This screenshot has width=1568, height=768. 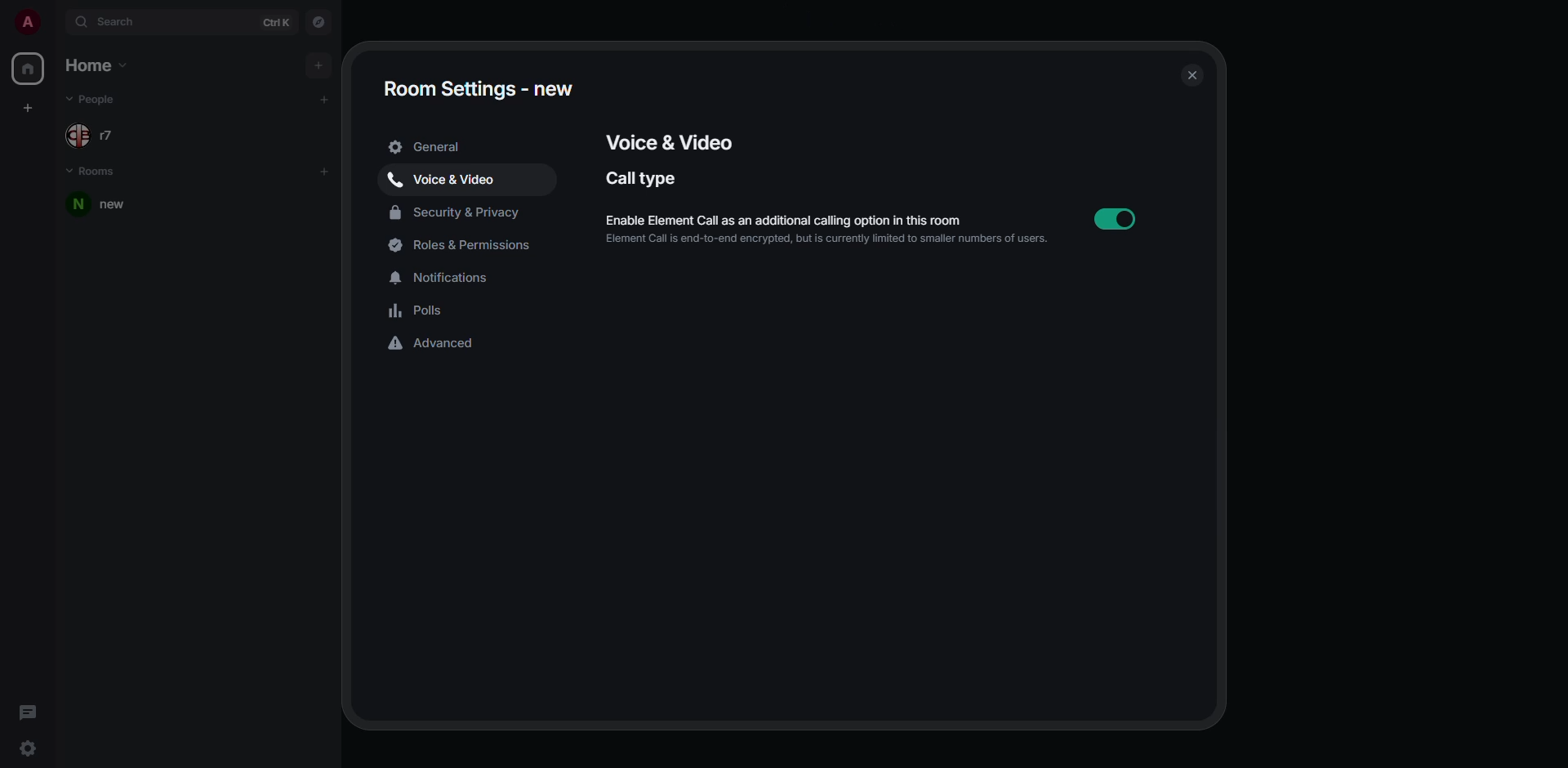 I want to click on home, so click(x=28, y=69).